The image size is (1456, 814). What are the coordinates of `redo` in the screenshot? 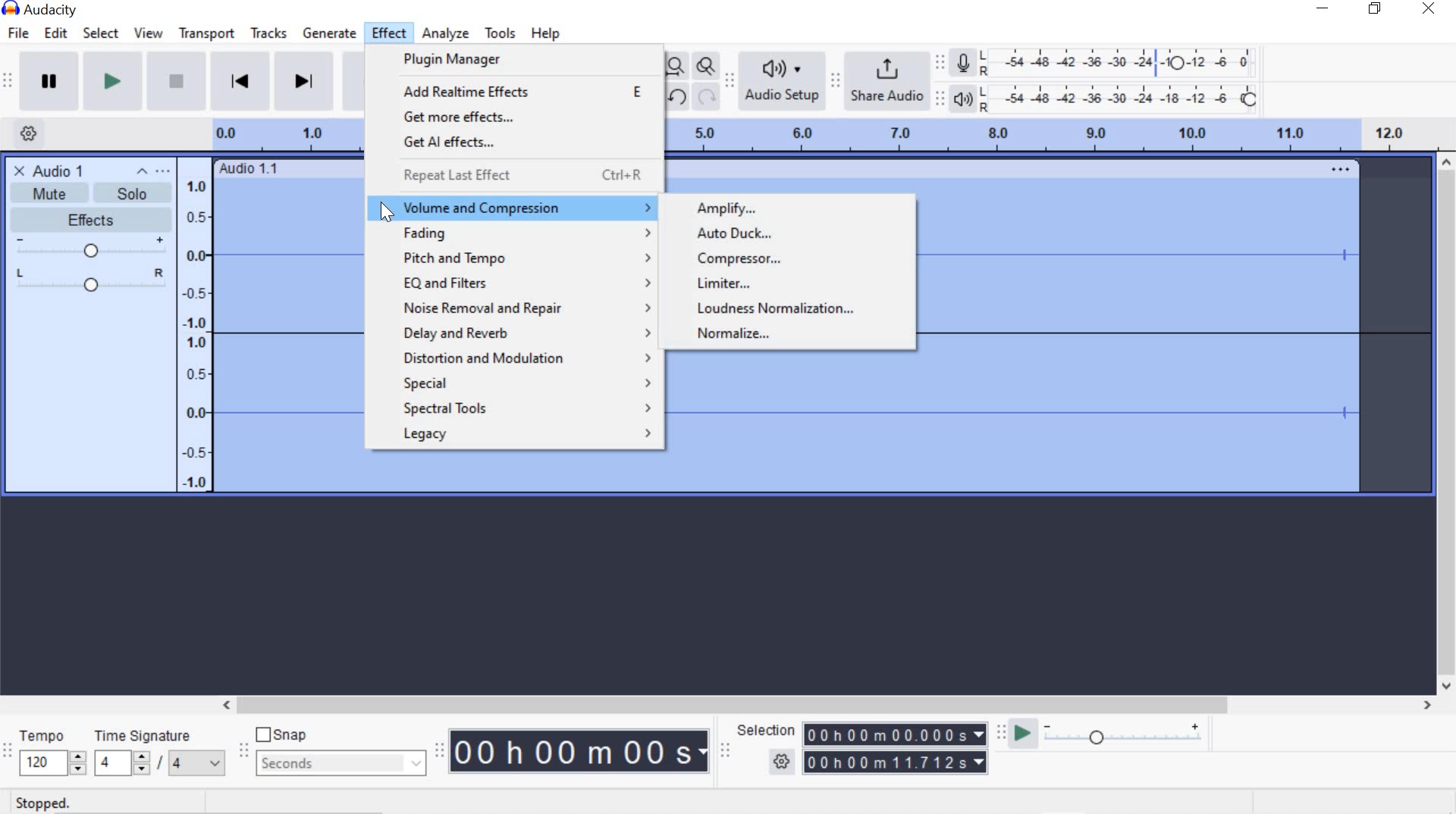 It's located at (707, 98).